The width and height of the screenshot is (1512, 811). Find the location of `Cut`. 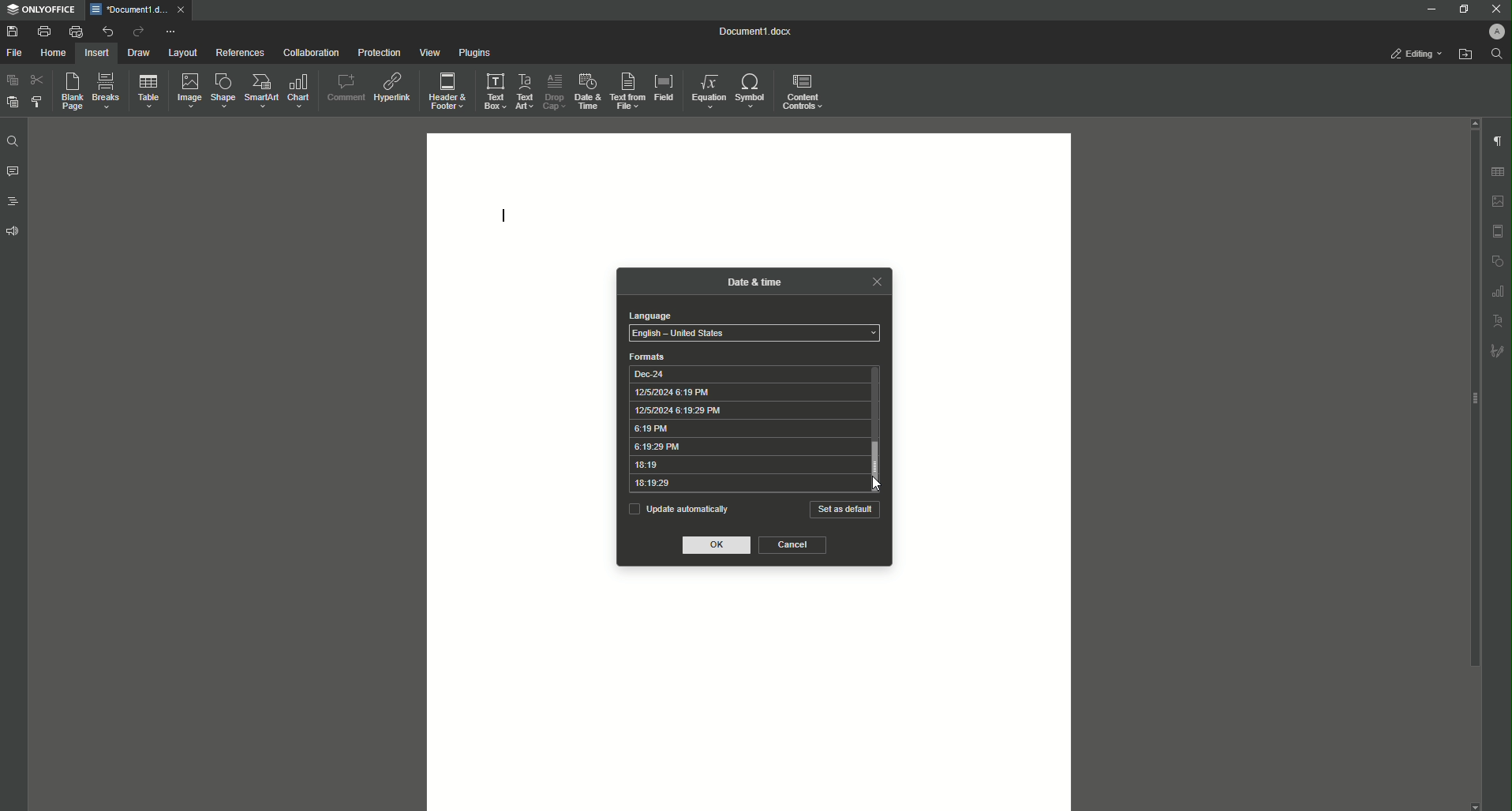

Cut is located at coordinates (36, 80).